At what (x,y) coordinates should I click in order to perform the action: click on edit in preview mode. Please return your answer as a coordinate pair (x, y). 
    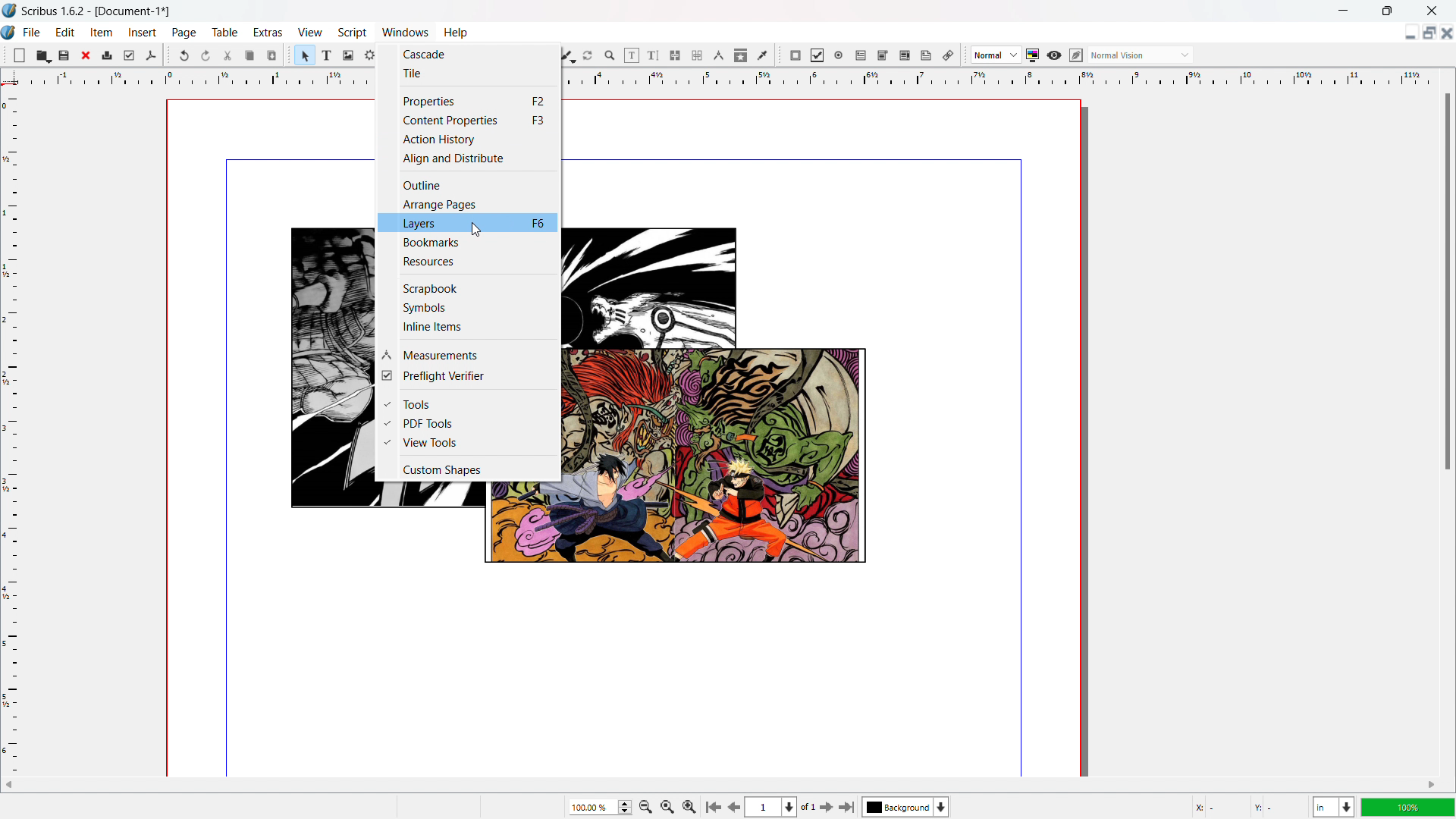
    Looking at the image, I should click on (1076, 55).